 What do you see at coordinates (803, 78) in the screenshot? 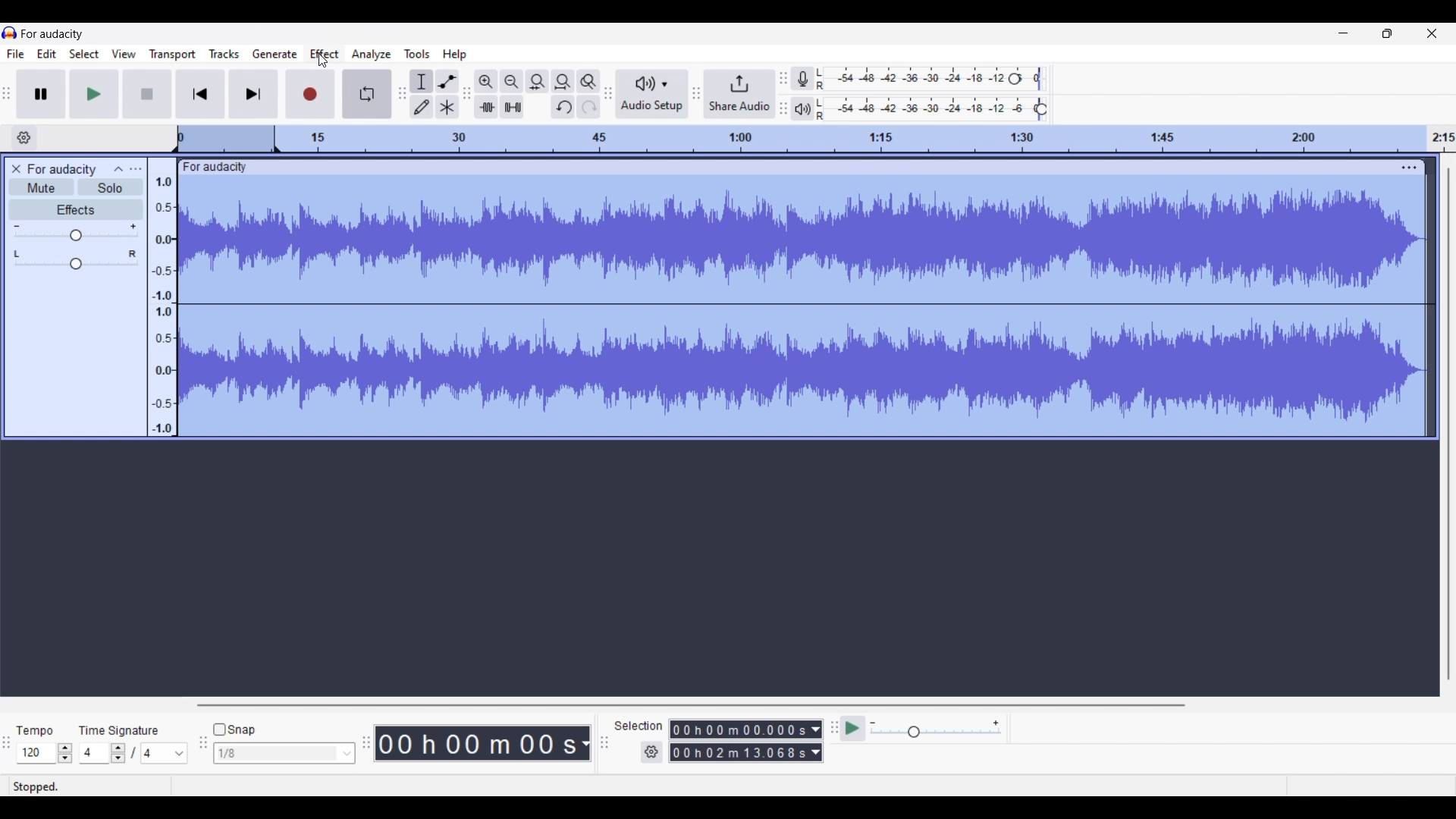
I see `Record meter` at bounding box center [803, 78].